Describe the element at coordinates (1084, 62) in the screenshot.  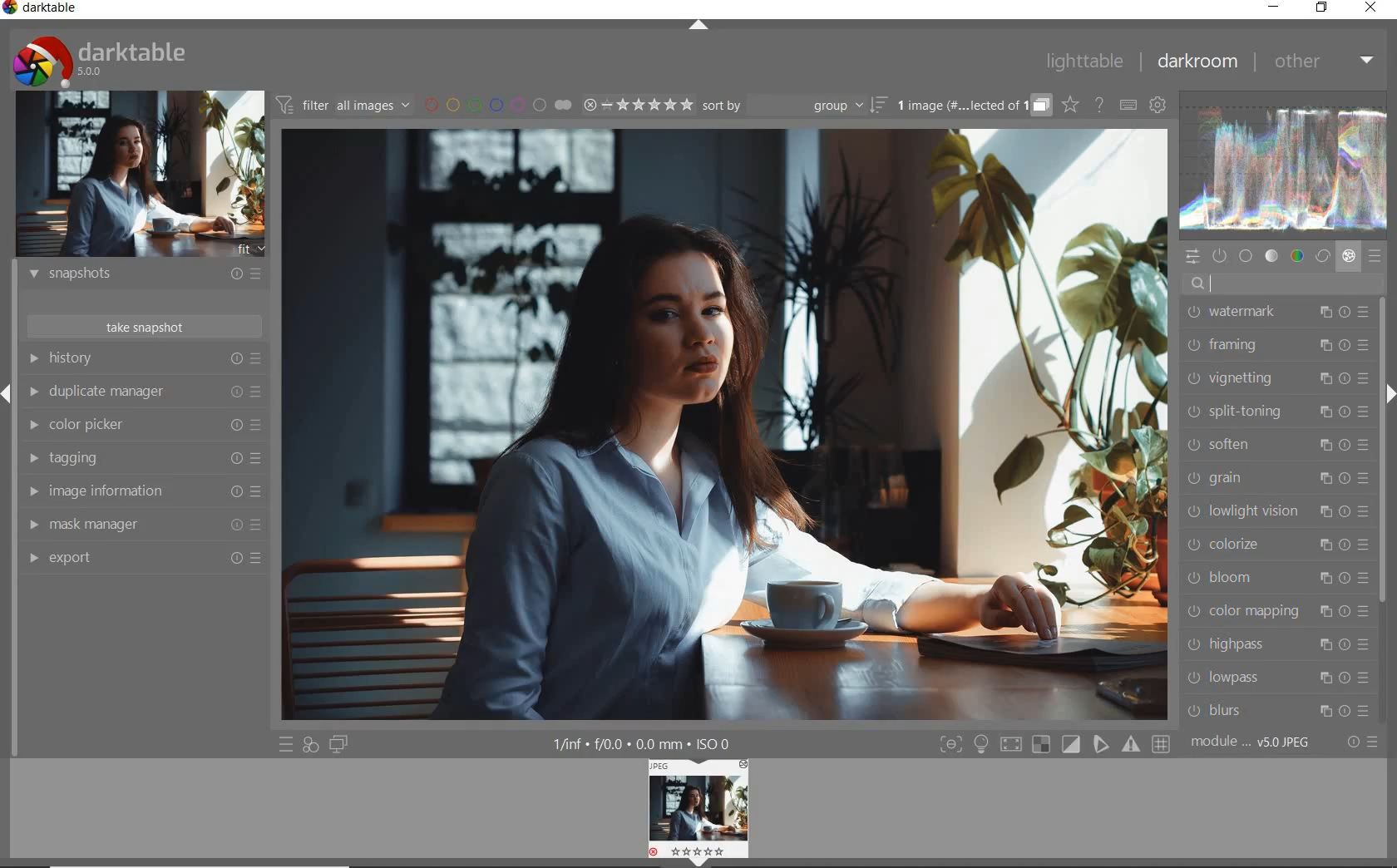
I see `lighttable` at that location.